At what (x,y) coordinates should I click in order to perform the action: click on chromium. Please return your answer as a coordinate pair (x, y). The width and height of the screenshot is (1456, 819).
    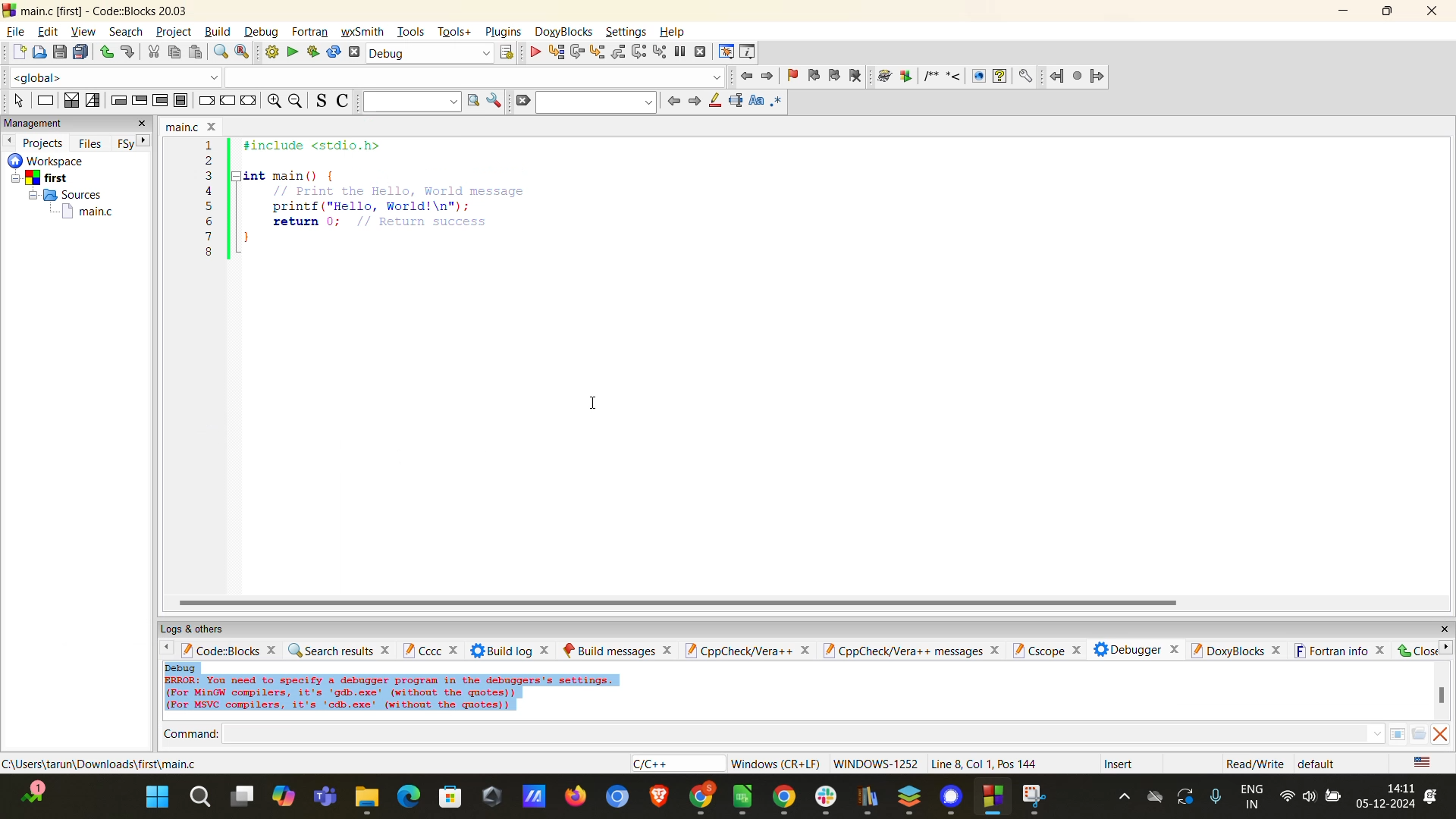
    Looking at the image, I should click on (613, 797).